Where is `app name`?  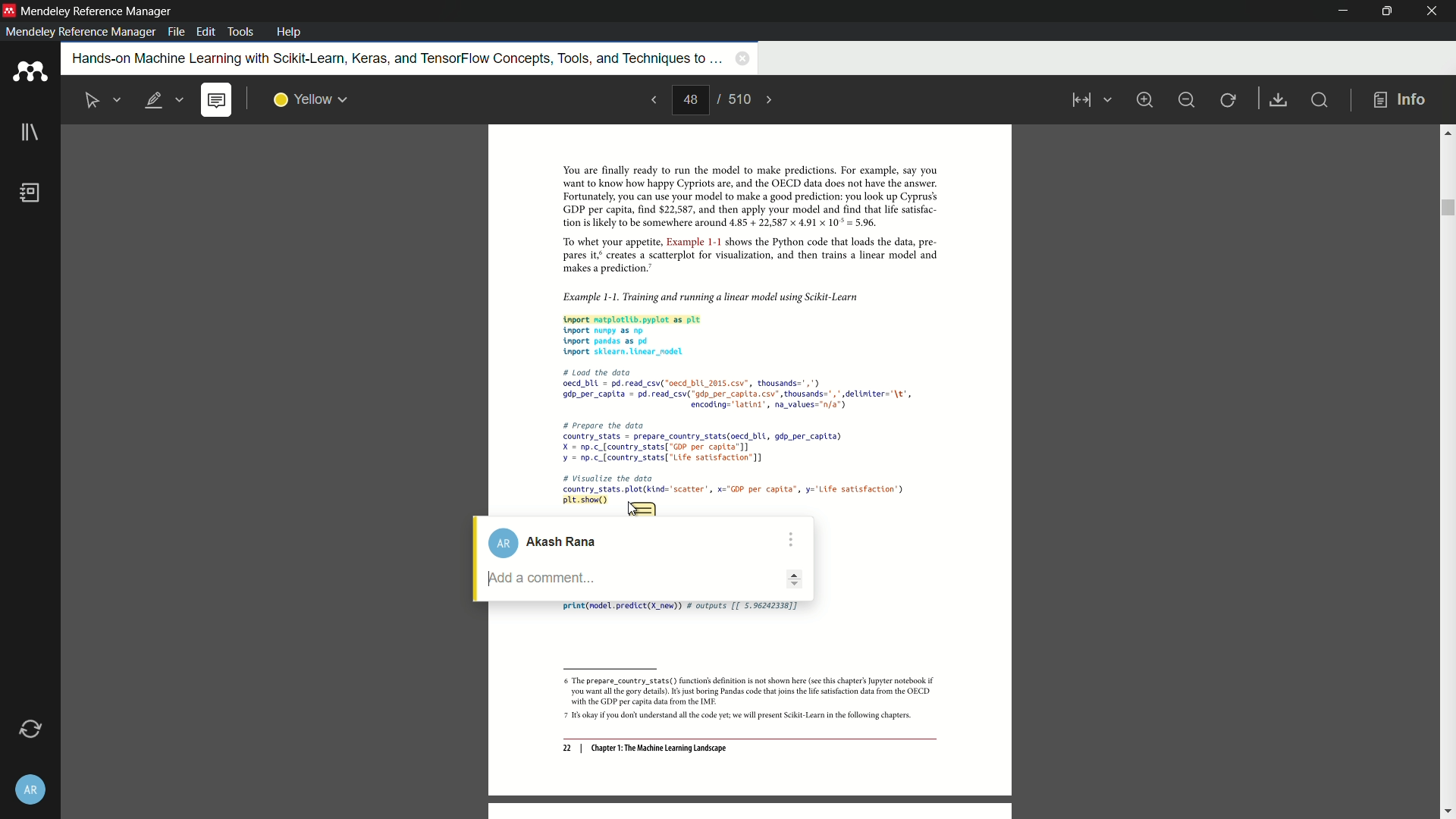 app name is located at coordinates (99, 11).